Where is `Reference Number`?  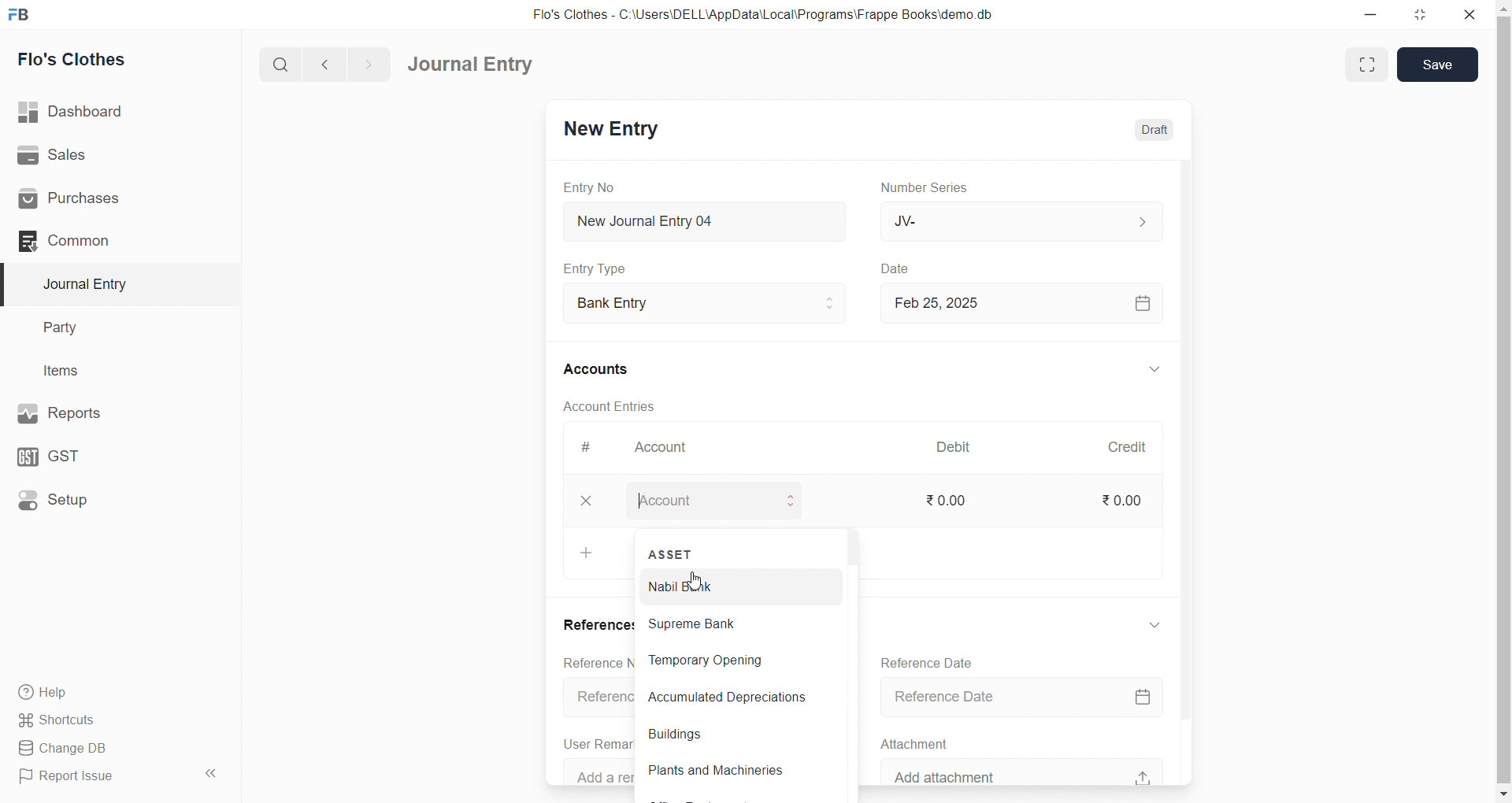 Reference Number is located at coordinates (595, 697).